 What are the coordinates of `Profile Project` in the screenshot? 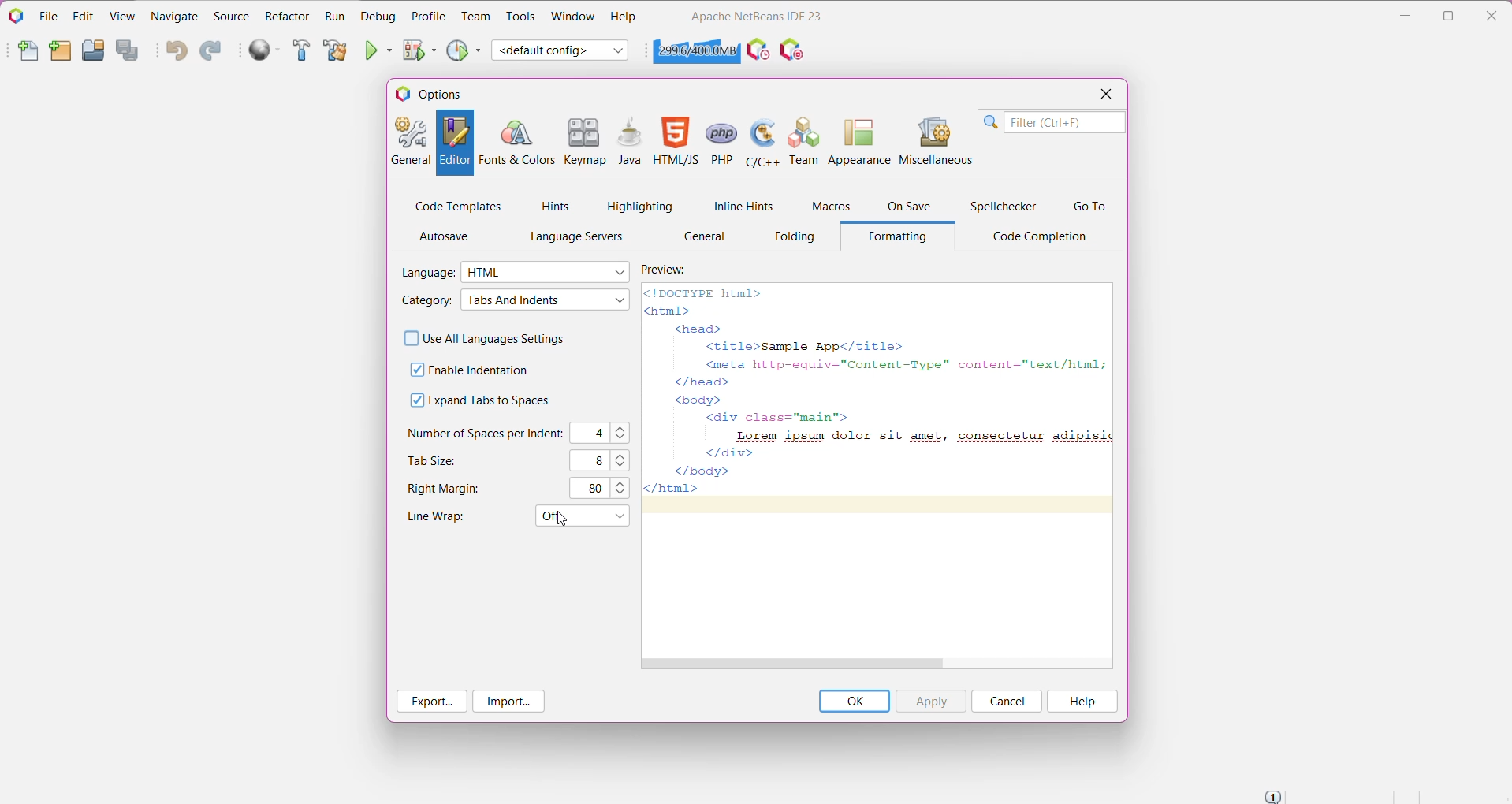 It's located at (464, 50).